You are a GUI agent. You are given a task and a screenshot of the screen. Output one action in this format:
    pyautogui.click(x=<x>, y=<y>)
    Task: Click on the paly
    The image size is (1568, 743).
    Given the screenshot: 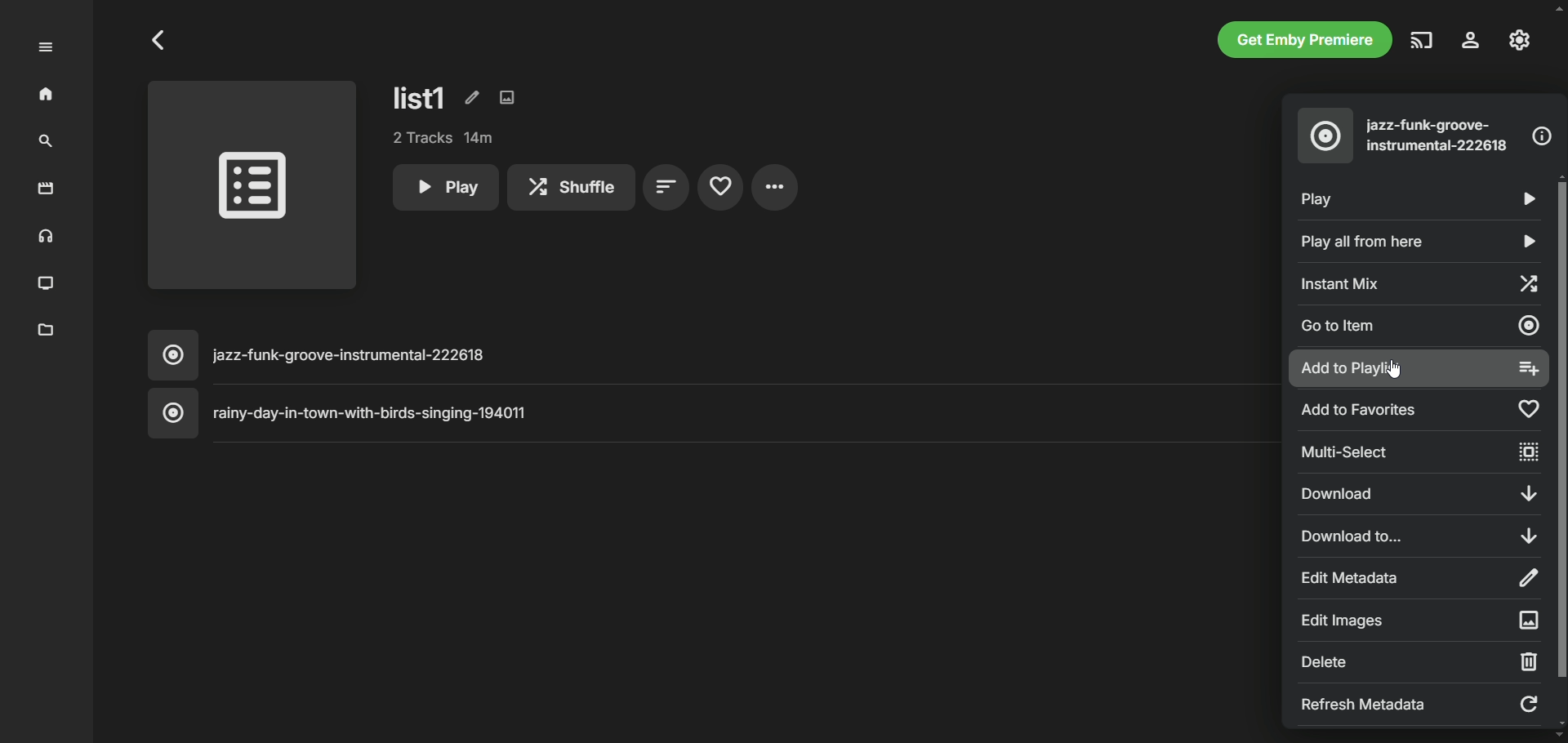 What is the action you would take?
    pyautogui.click(x=1412, y=196)
    